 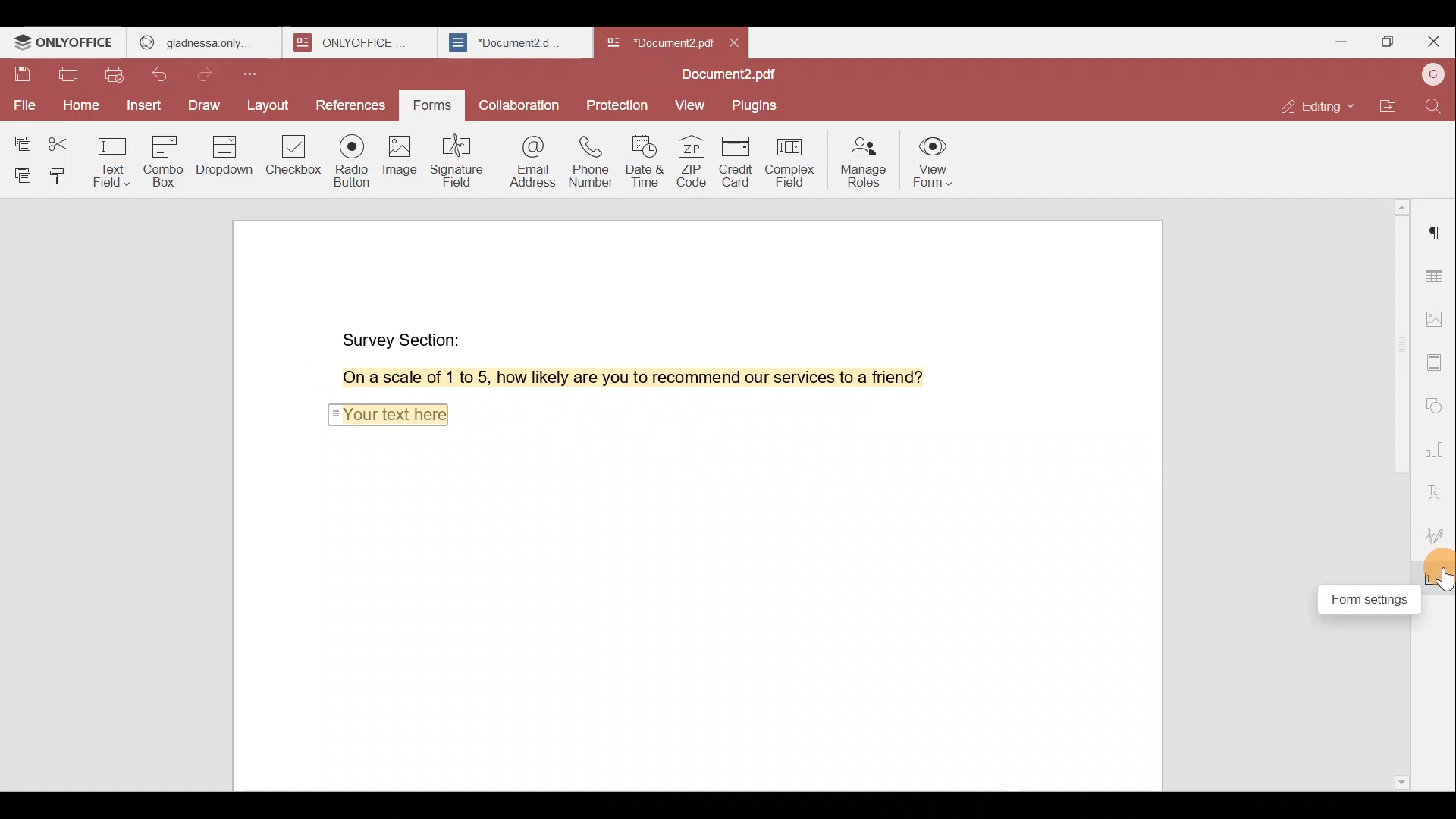 What do you see at coordinates (204, 42) in the screenshot?
I see `gladness only` at bounding box center [204, 42].